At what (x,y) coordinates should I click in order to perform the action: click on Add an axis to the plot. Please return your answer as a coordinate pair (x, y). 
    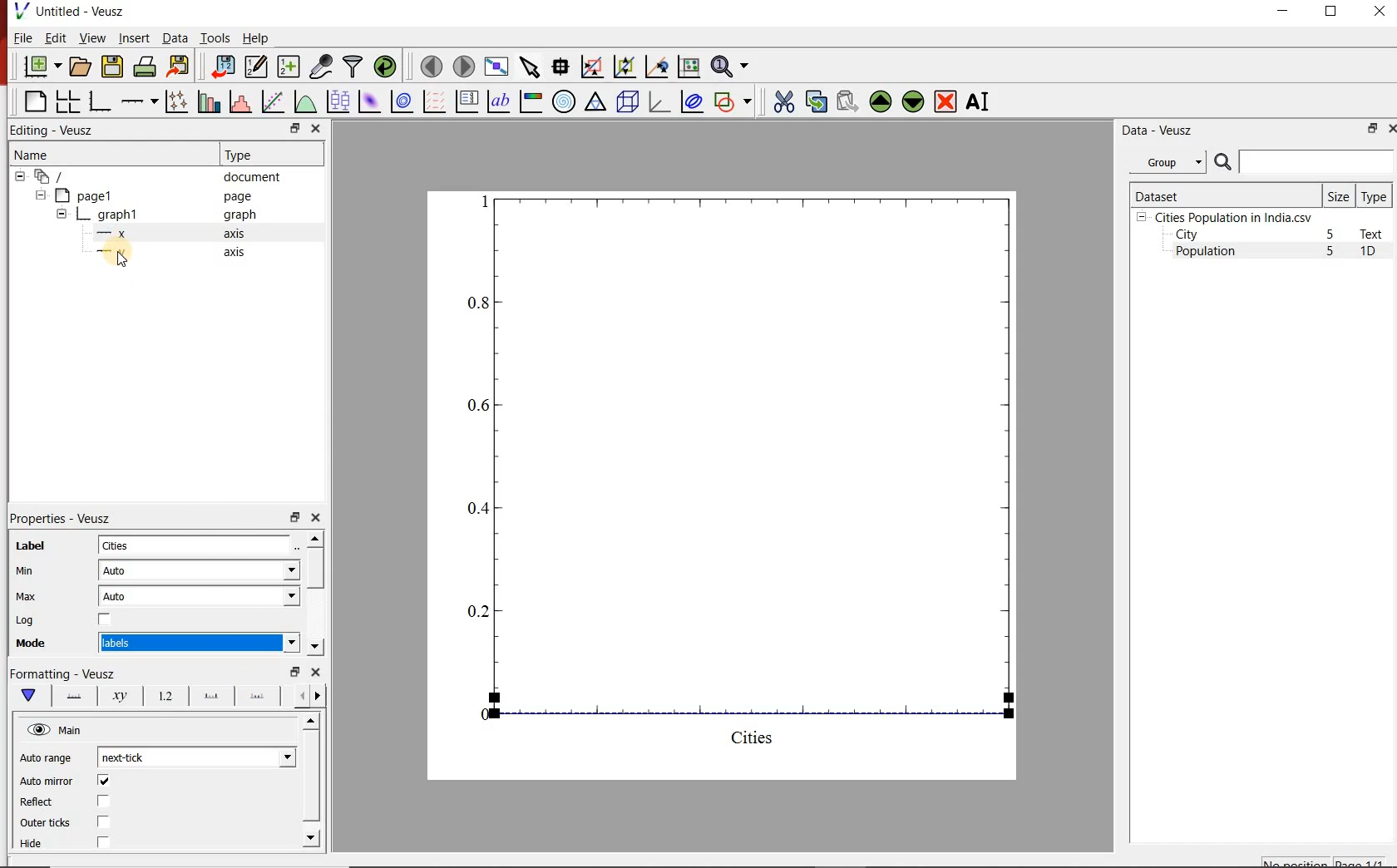
    Looking at the image, I should click on (139, 99).